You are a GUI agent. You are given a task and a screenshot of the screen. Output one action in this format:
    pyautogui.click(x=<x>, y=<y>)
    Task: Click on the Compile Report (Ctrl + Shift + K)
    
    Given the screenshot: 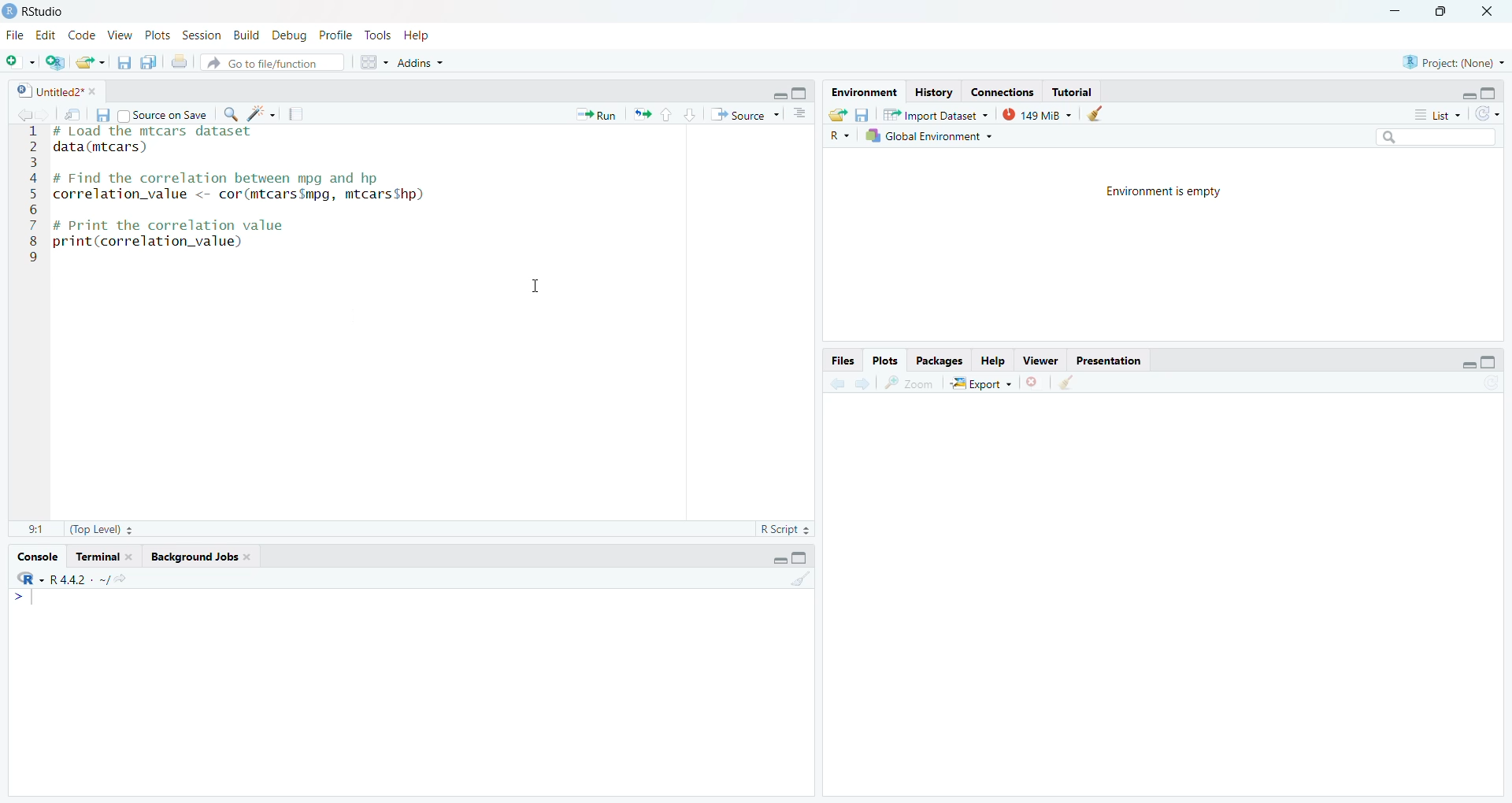 What is the action you would take?
    pyautogui.click(x=296, y=114)
    